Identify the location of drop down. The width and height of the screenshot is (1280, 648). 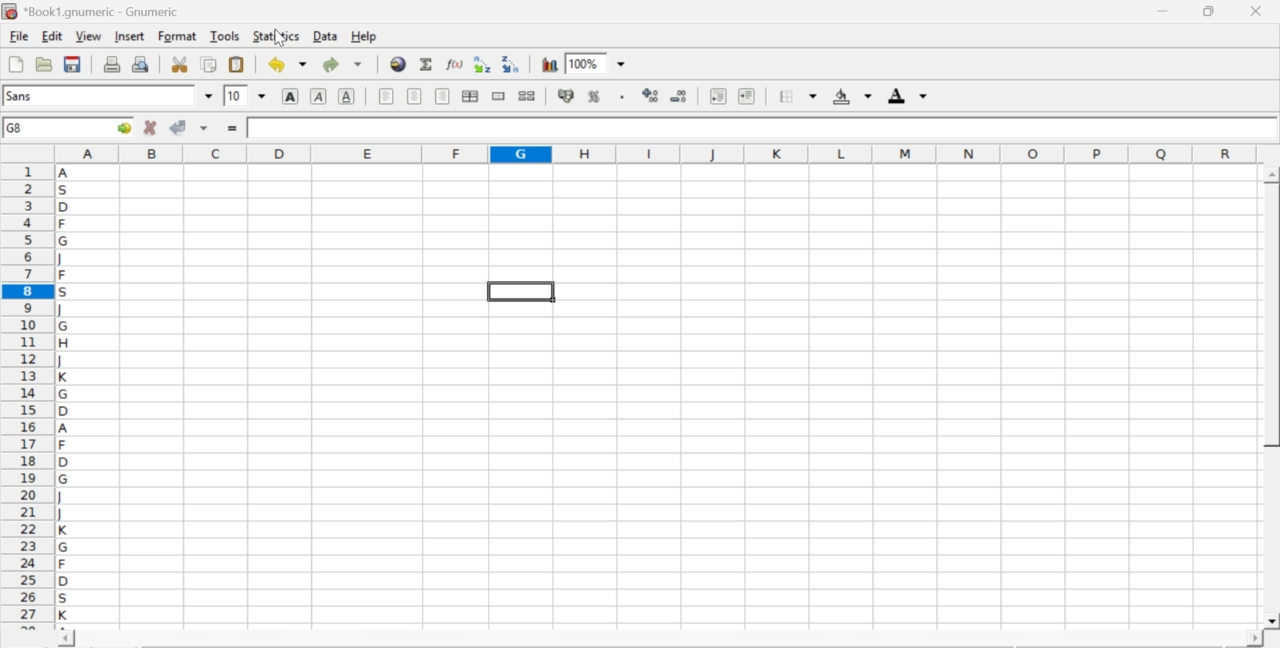
(622, 65).